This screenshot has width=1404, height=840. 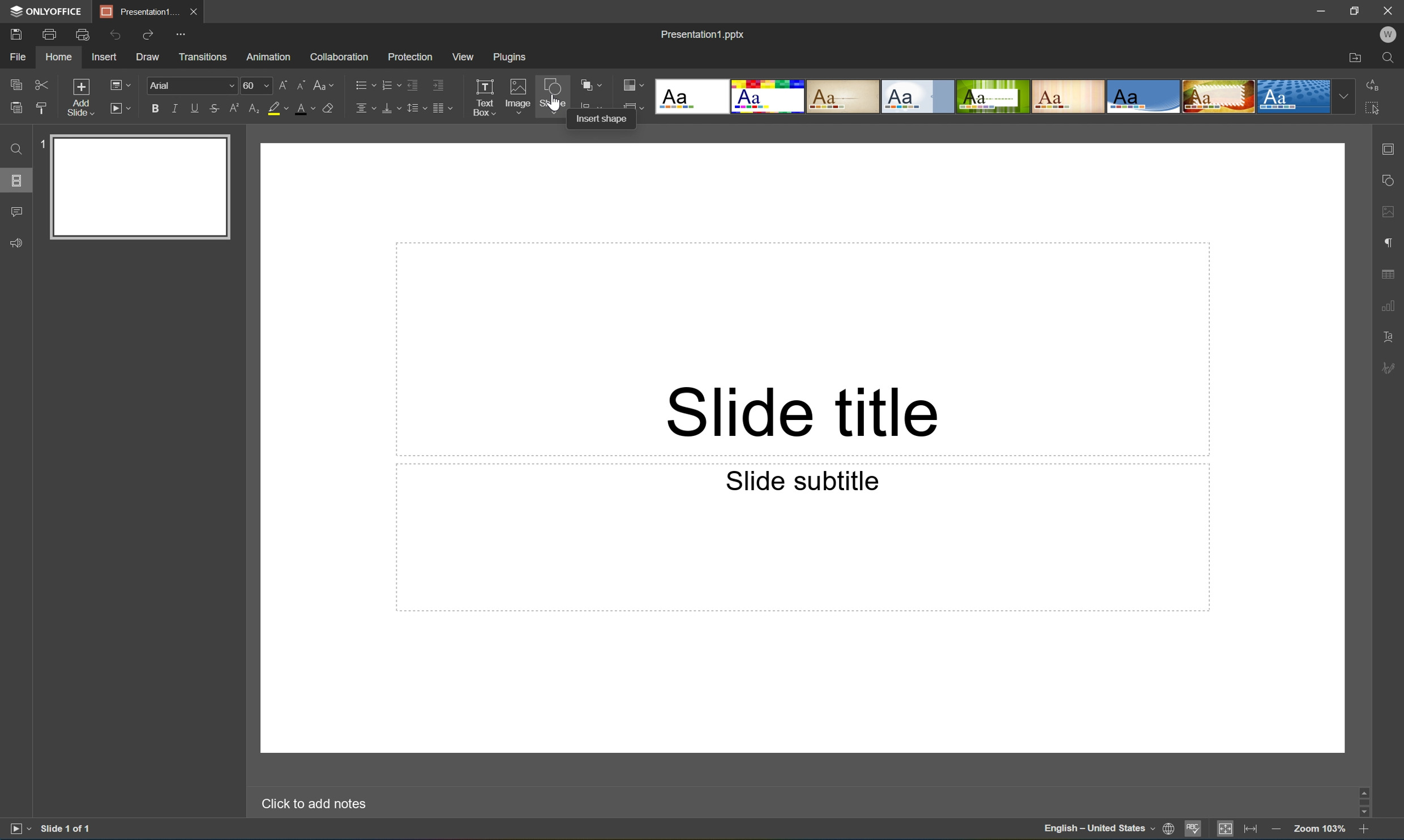 I want to click on English - United States, so click(x=1099, y=831).